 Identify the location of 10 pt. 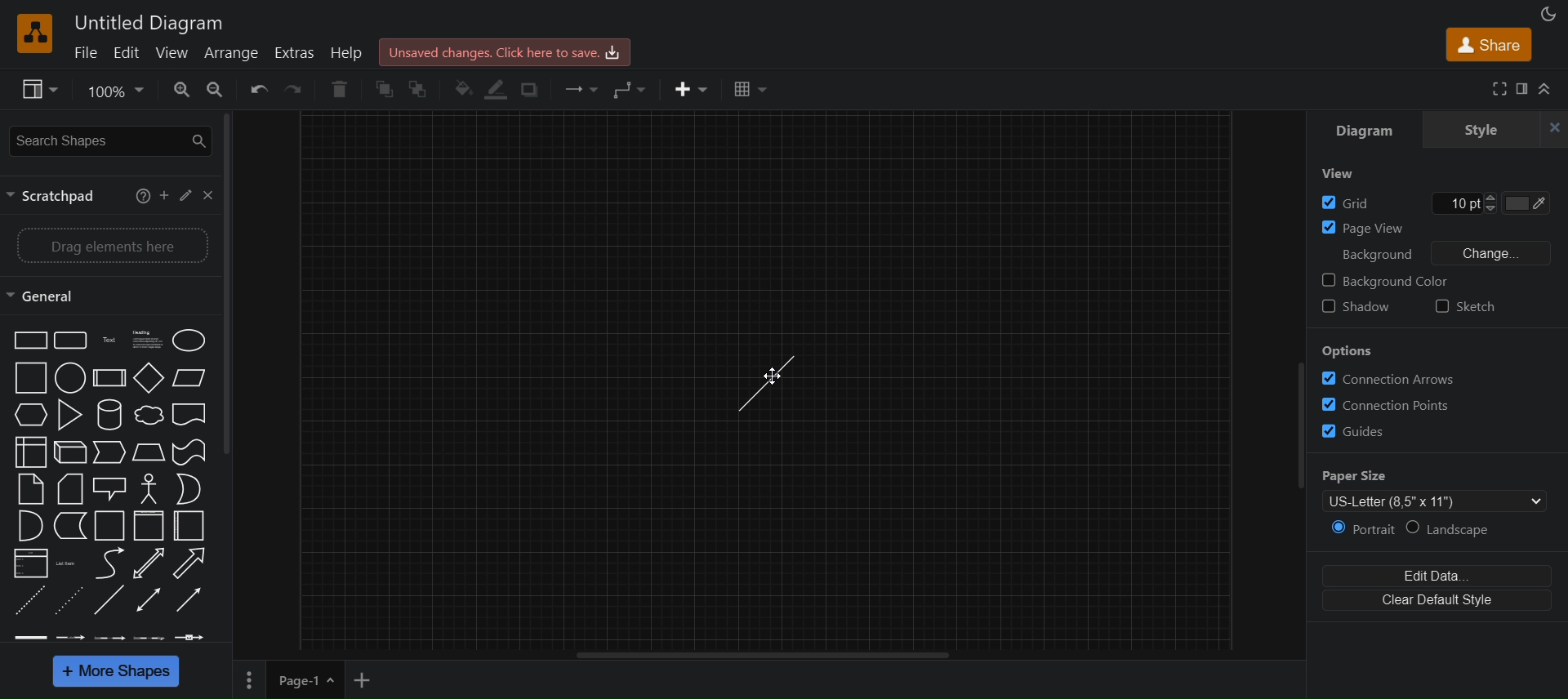
(1464, 203).